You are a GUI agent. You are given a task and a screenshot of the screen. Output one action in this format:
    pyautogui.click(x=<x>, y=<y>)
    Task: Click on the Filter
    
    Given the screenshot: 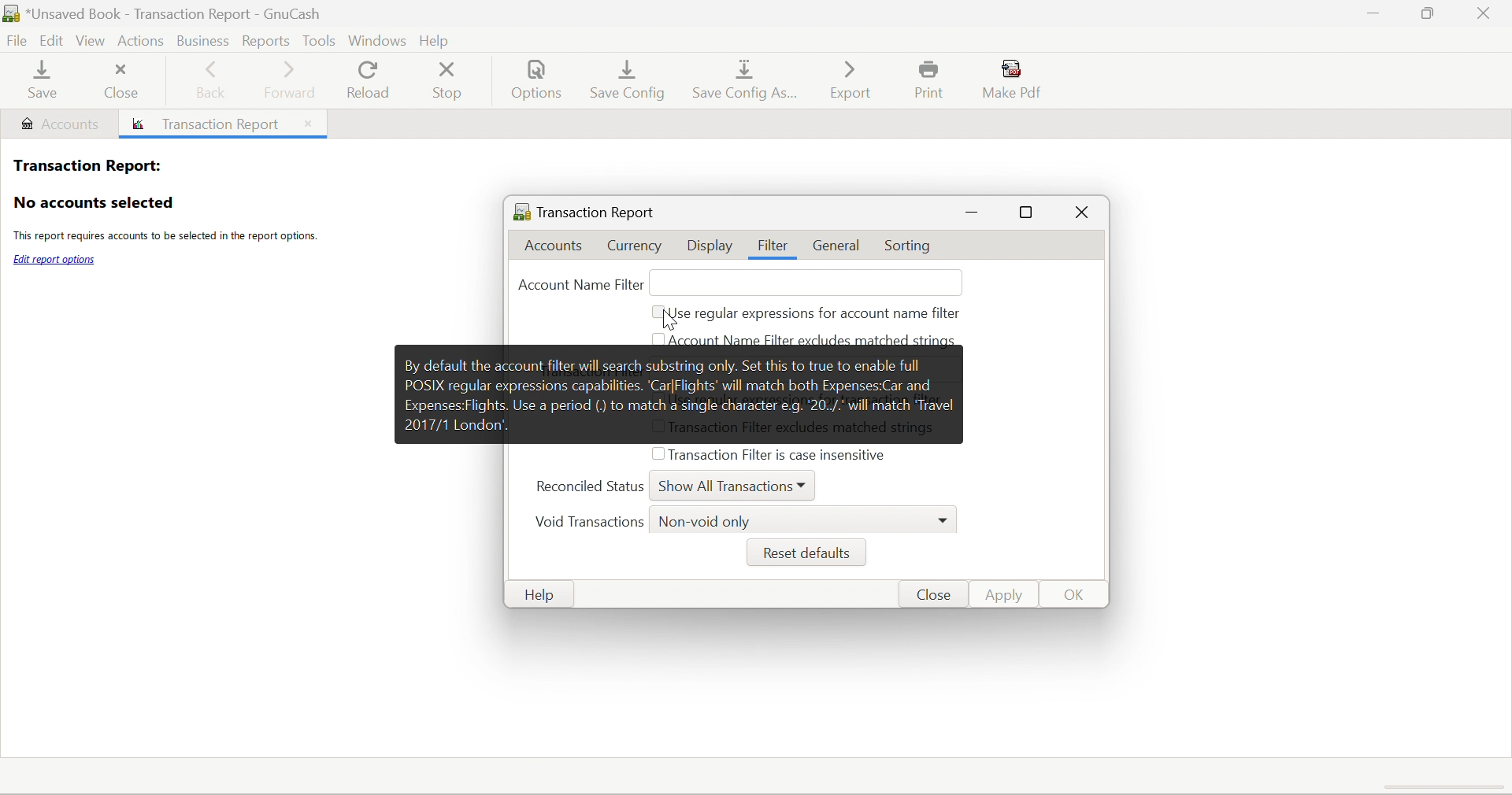 What is the action you would take?
    pyautogui.click(x=776, y=246)
    